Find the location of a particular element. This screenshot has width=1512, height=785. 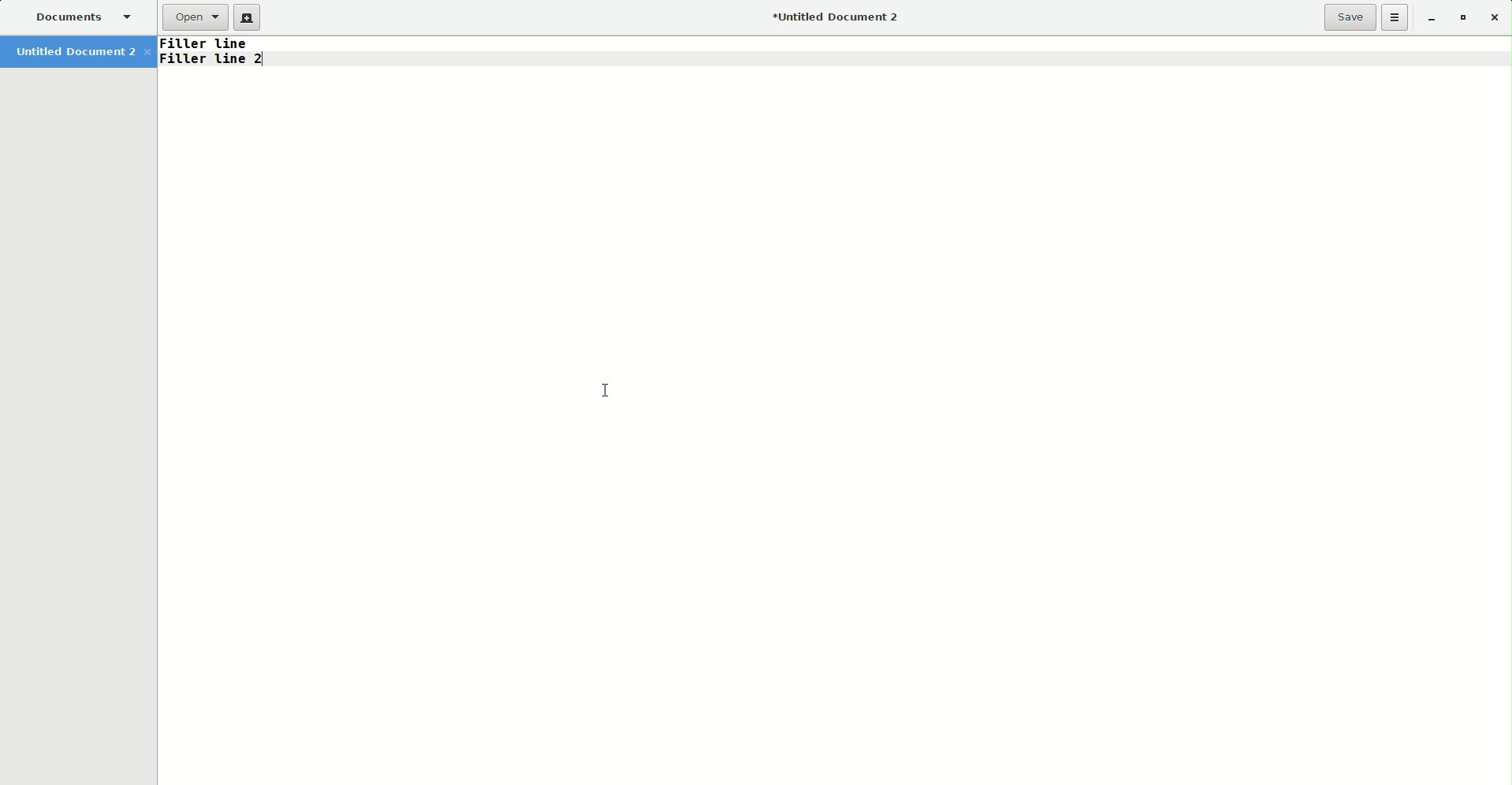

Untitled Document 2 is located at coordinates (82, 54).